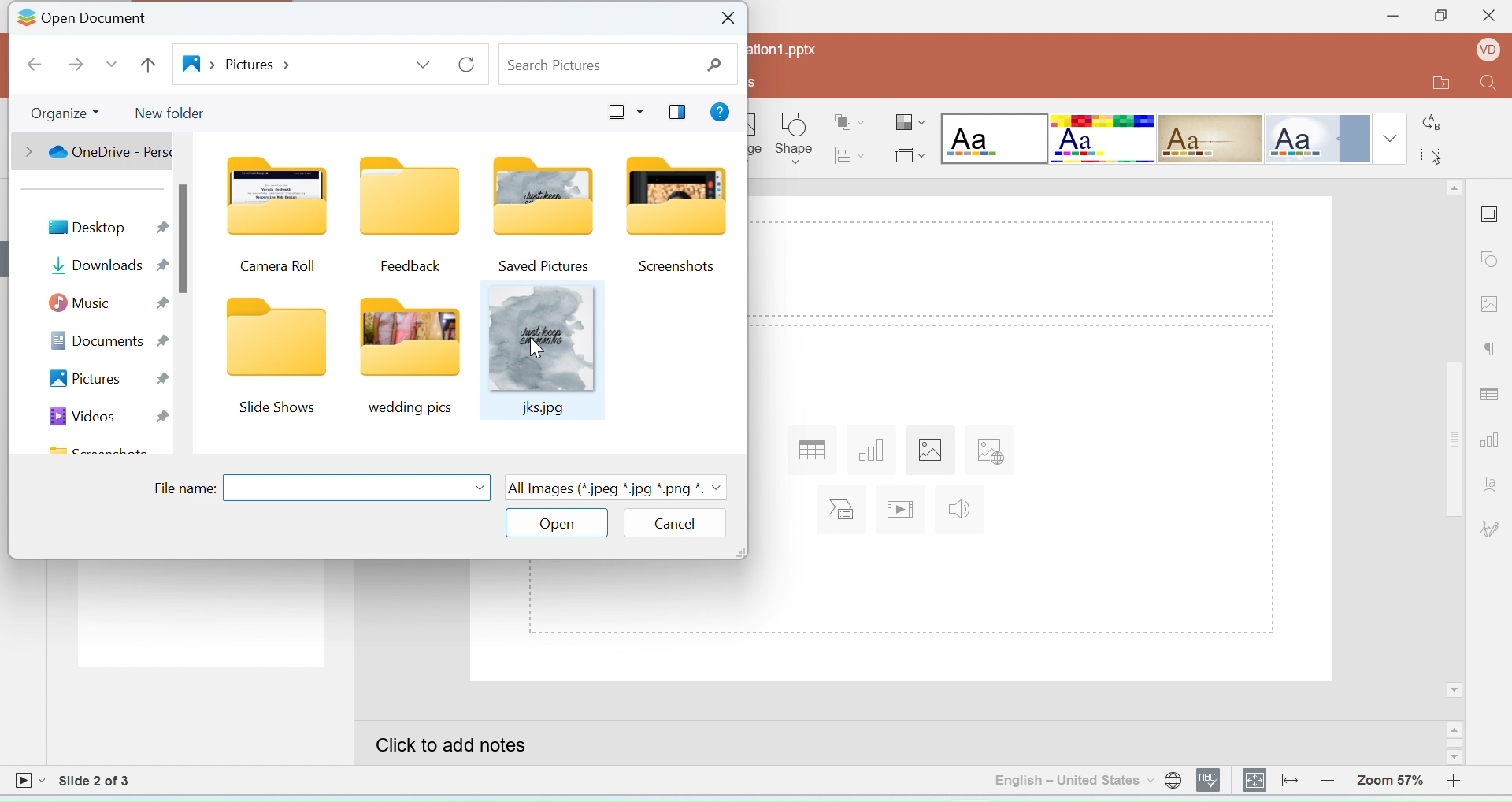 Image resolution: width=1512 pixels, height=802 pixels. I want to click on videos, so click(102, 416).